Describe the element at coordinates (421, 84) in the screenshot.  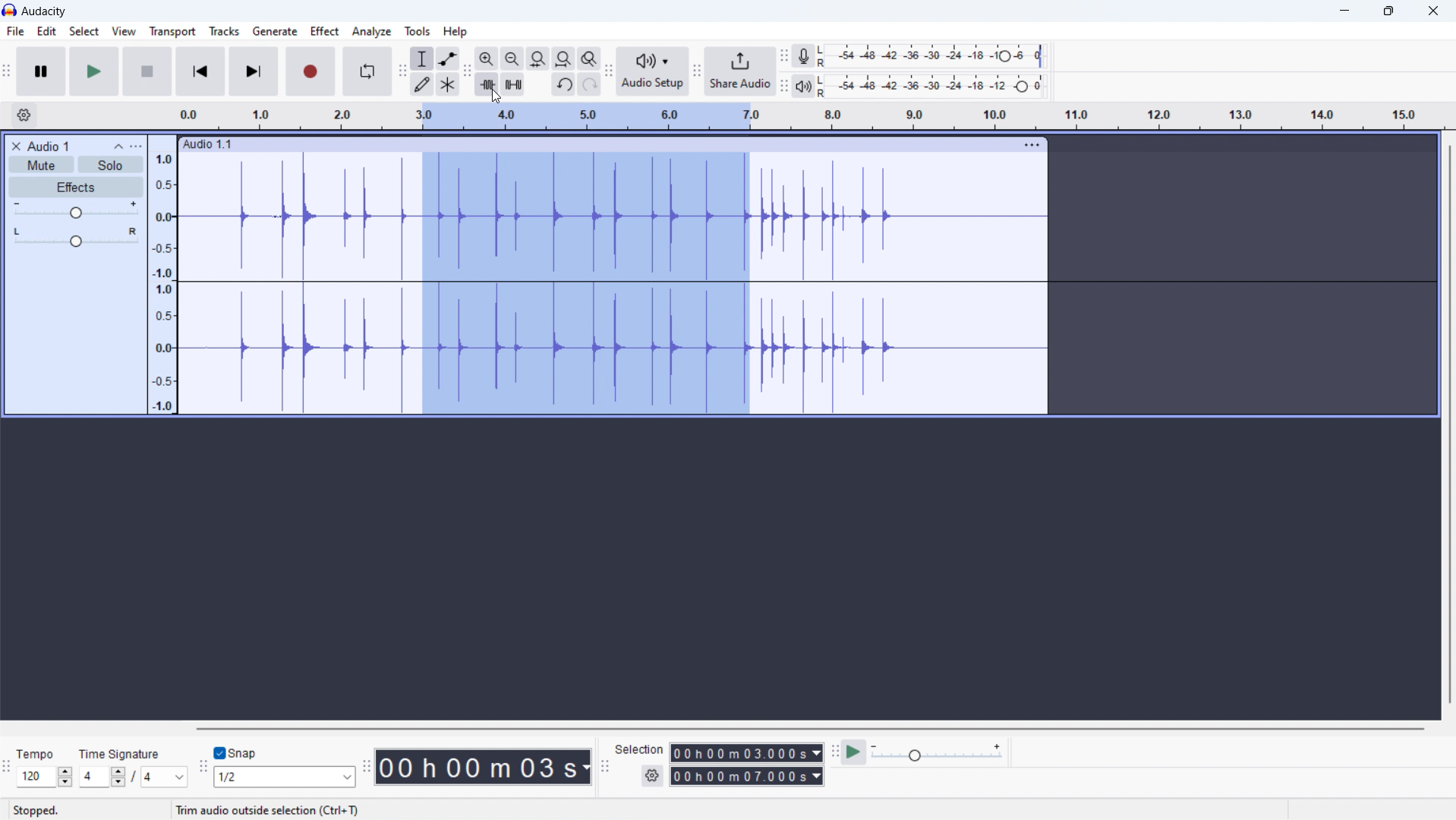
I see `draw tool` at that location.